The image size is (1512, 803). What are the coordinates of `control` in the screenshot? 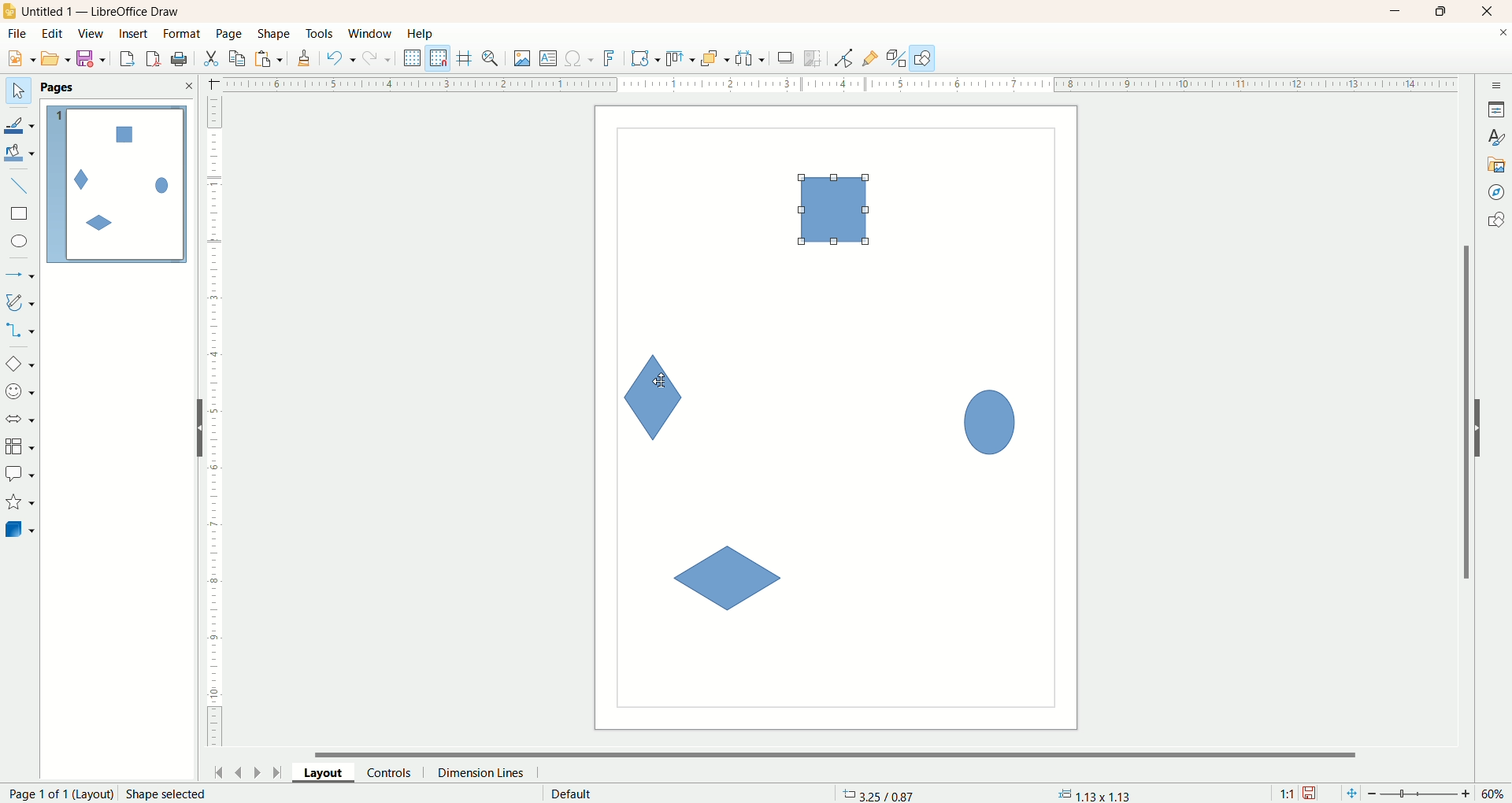 It's located at (396, 772).